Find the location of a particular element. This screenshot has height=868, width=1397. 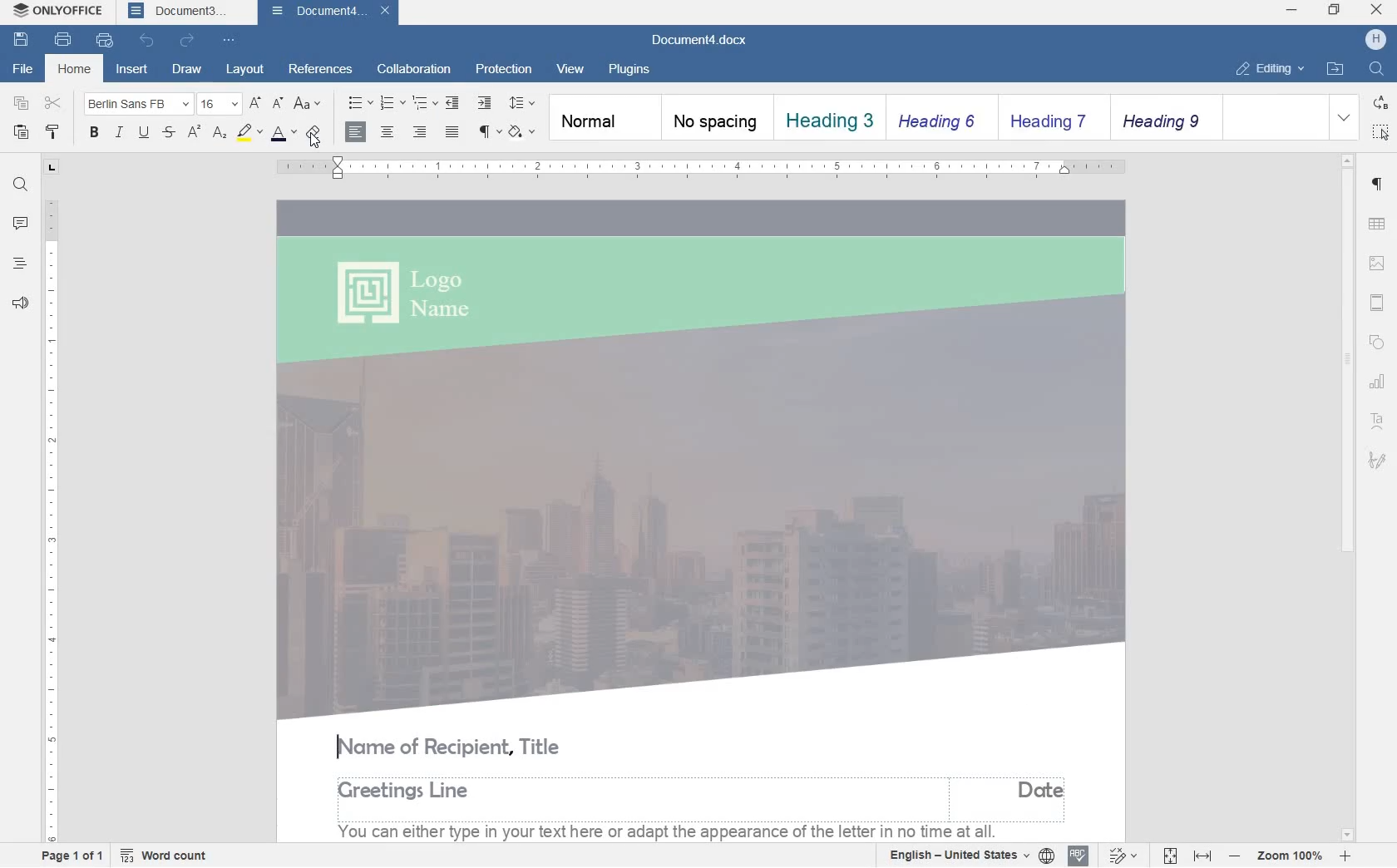

clear style is located at coordinates (314, 132).